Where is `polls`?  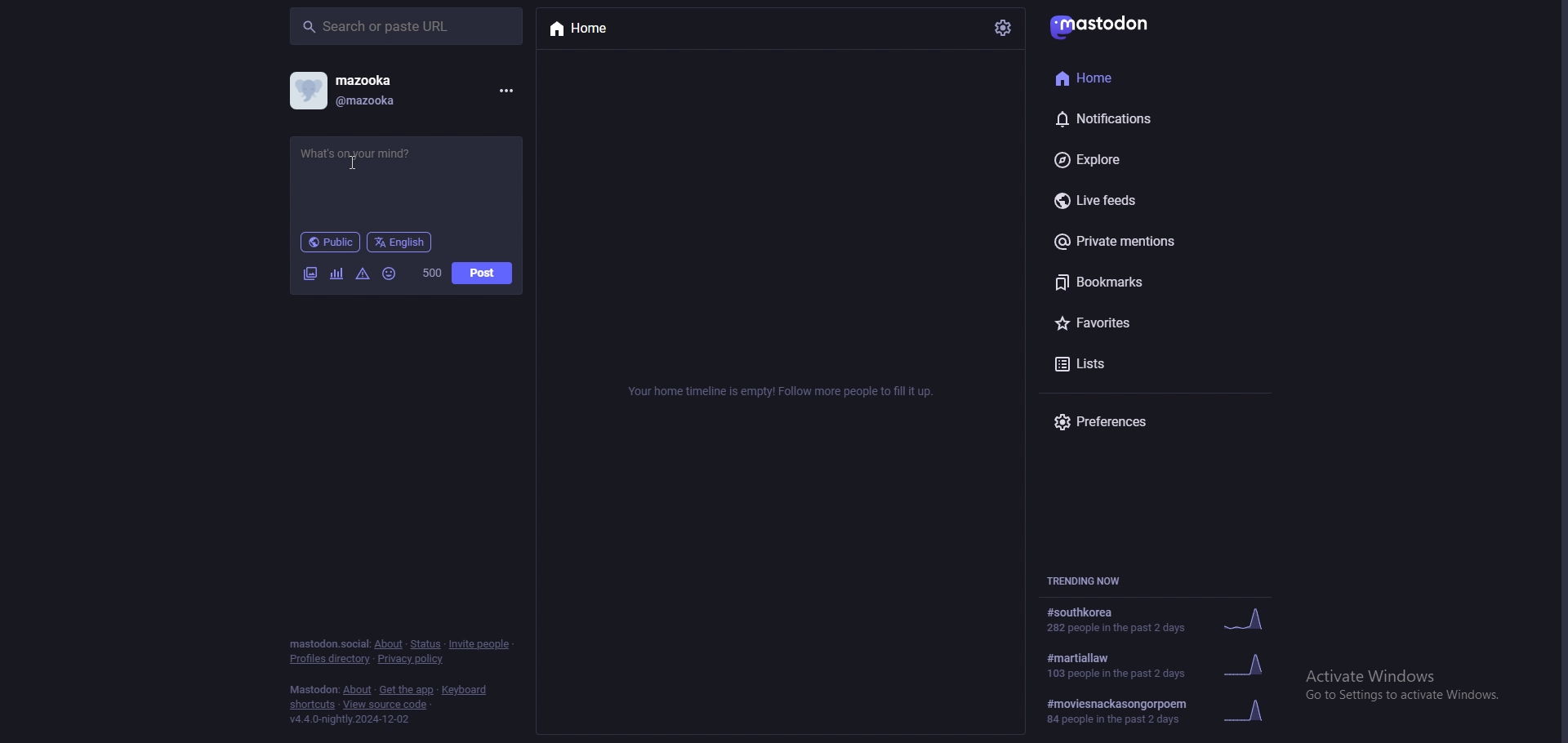 polls is located at coordinates (336, 274).